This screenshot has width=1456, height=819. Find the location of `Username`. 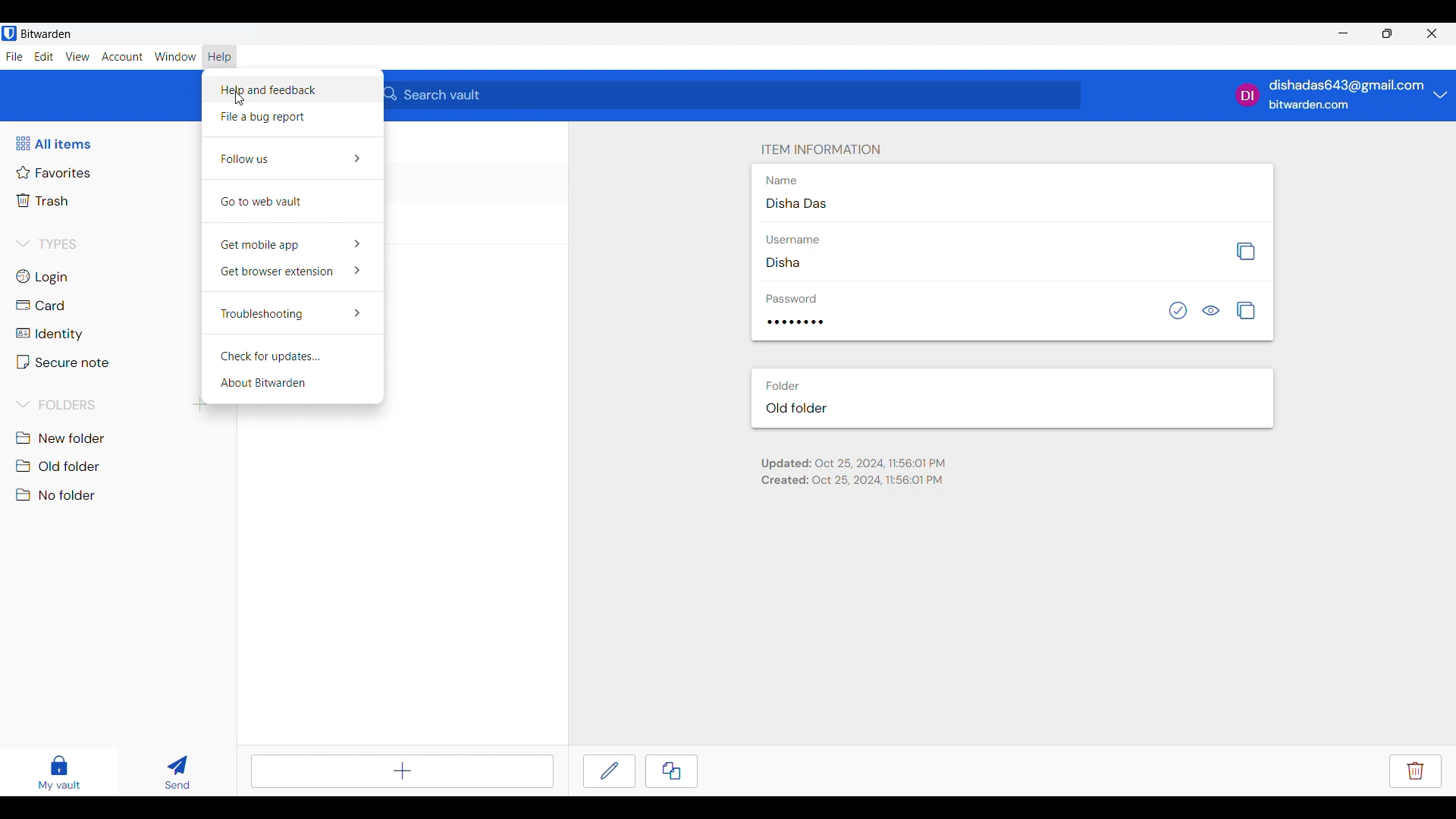

Username is located at coordinates (792, 240).